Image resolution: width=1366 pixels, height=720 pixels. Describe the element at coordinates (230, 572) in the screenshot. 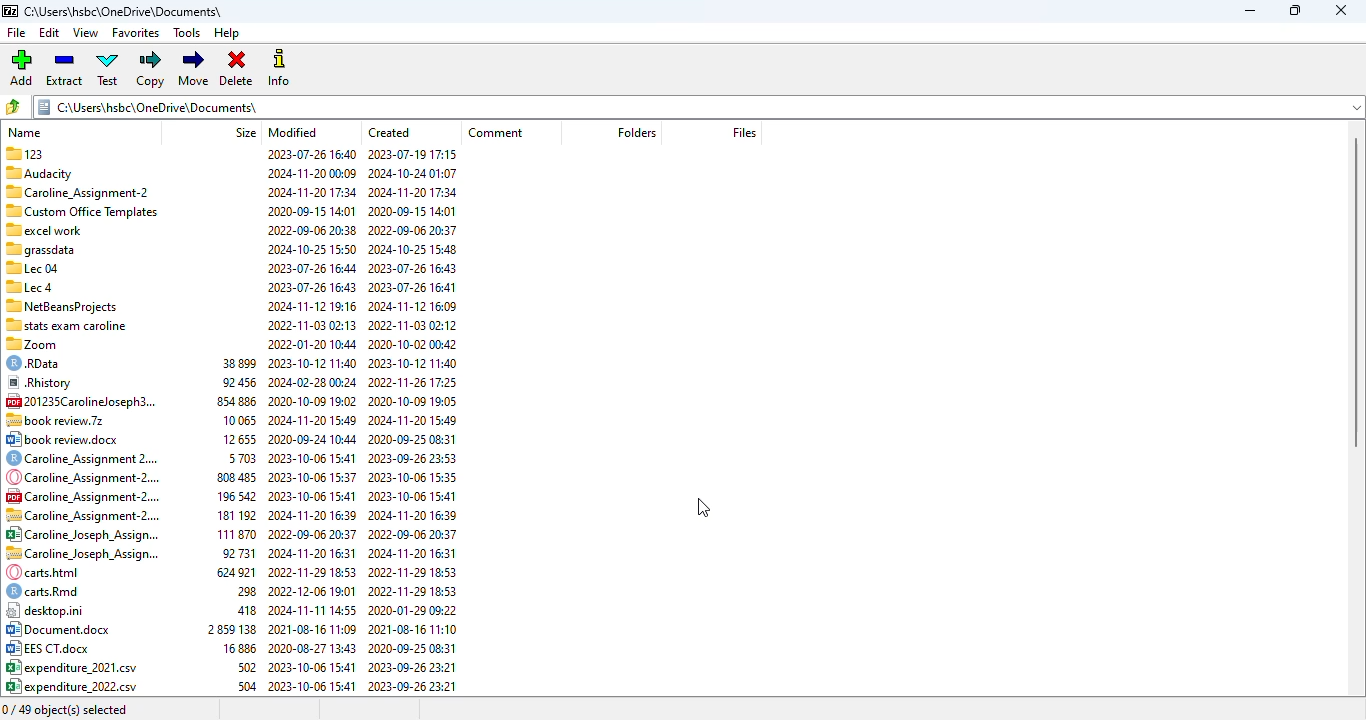

I see `carts.Rmd 298 2022-12-06 19:01 2022-11-29 18:53` at that location.